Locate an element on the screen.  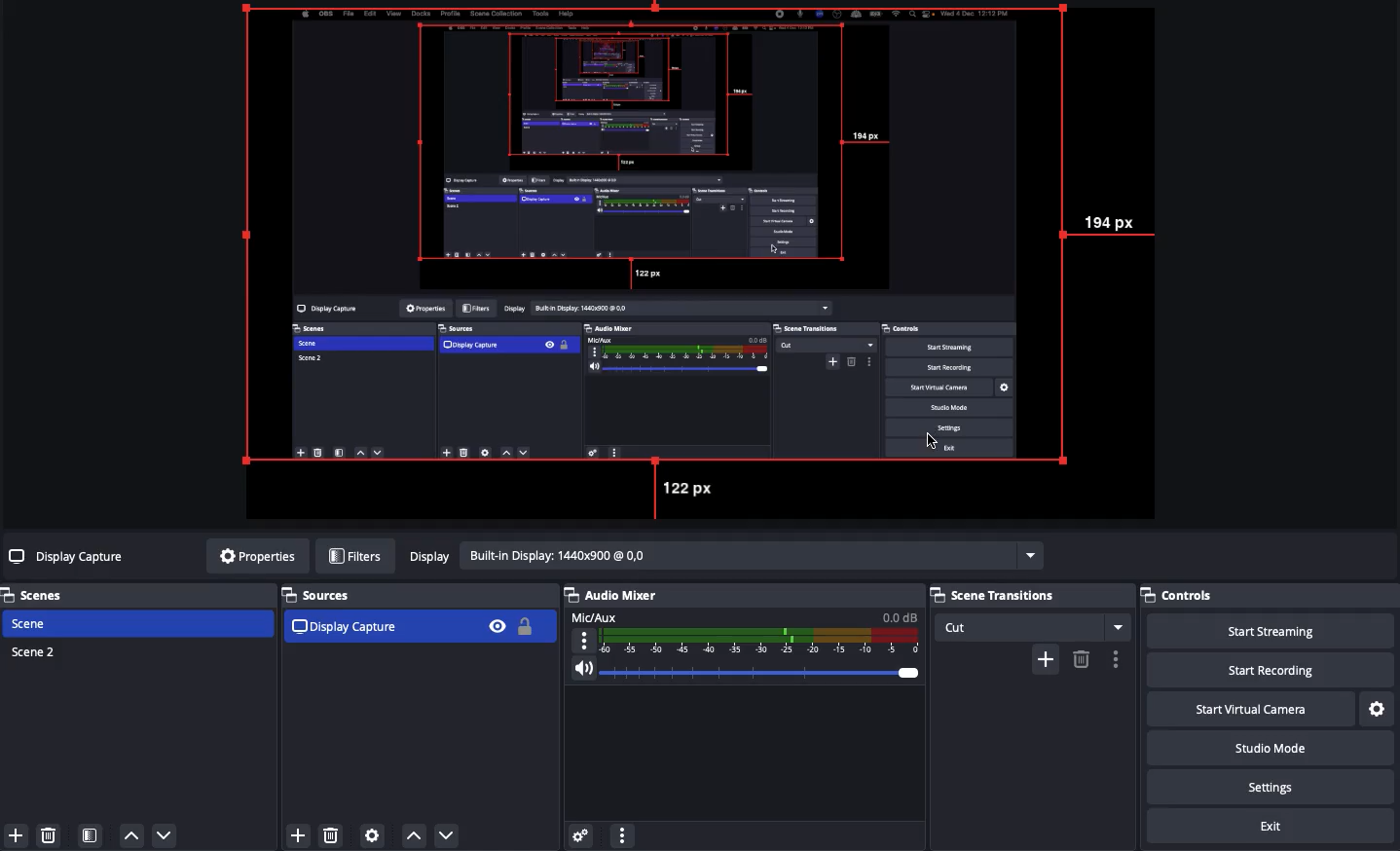
Start recording is located at coordinates (1295, 671).